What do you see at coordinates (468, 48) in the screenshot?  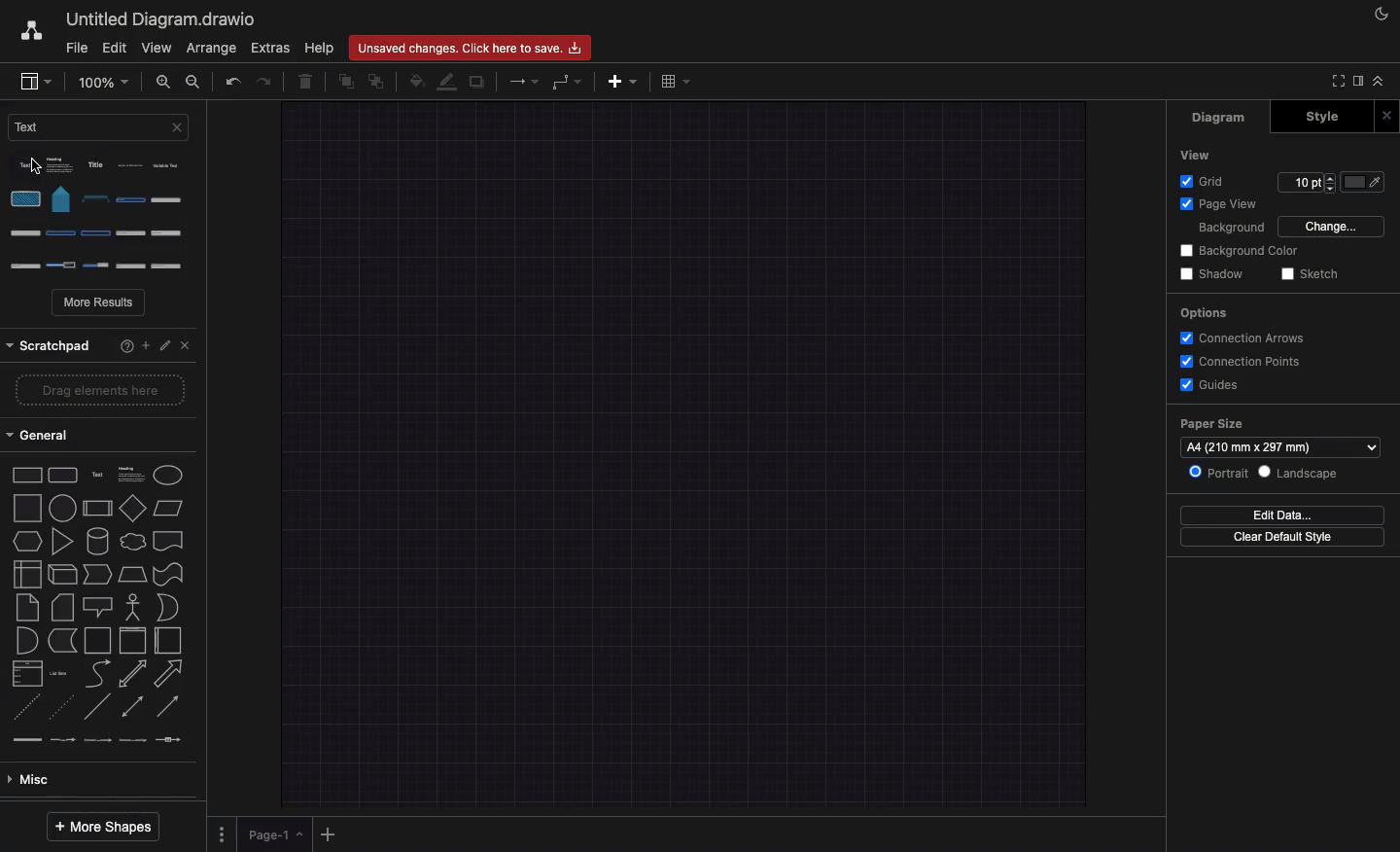 I see `Unsaved changes. Click here to save.` at bounding box center [468, 48].